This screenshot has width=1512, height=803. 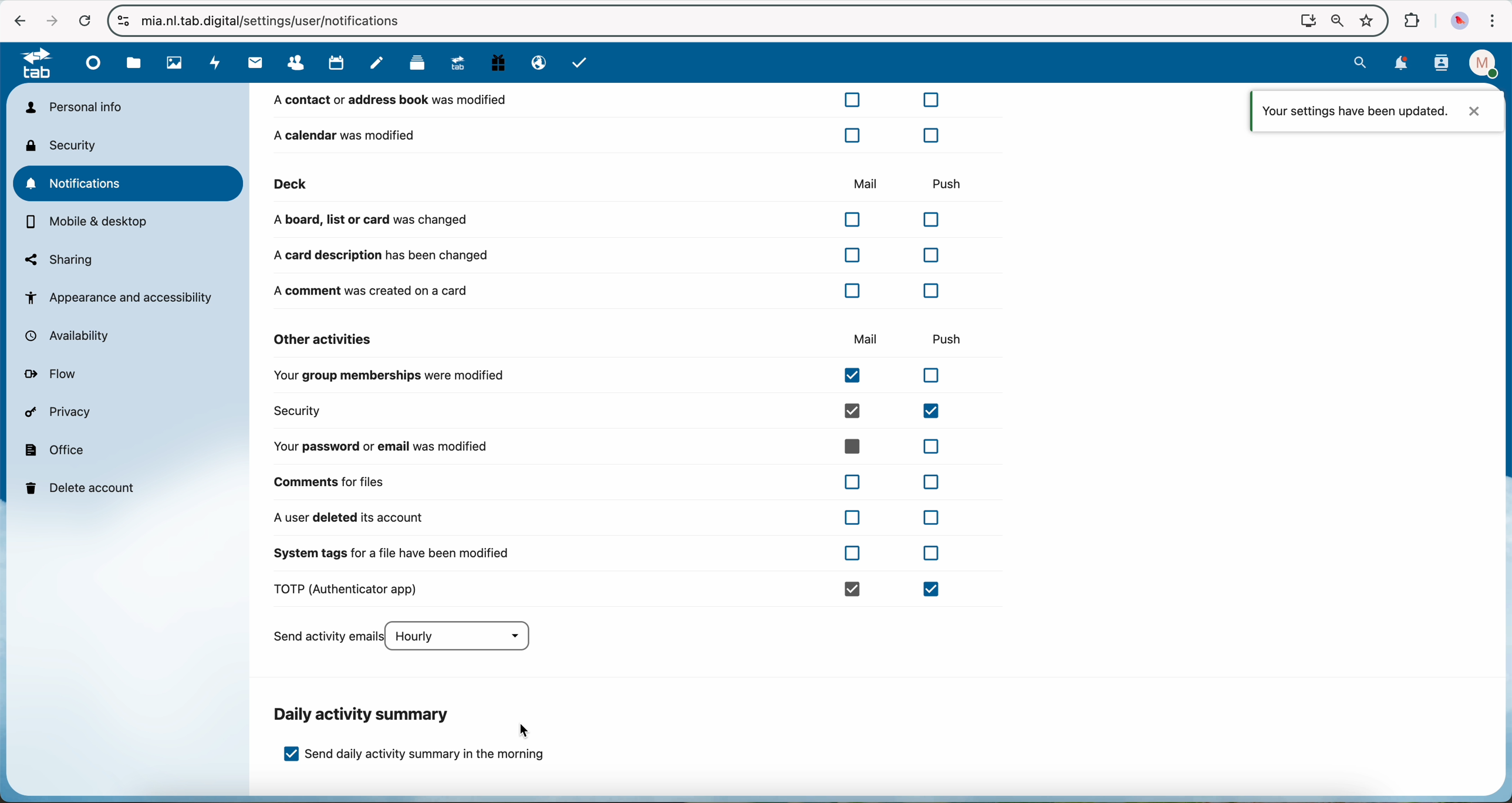 I want to click on deck, so click(x=478, y=184).